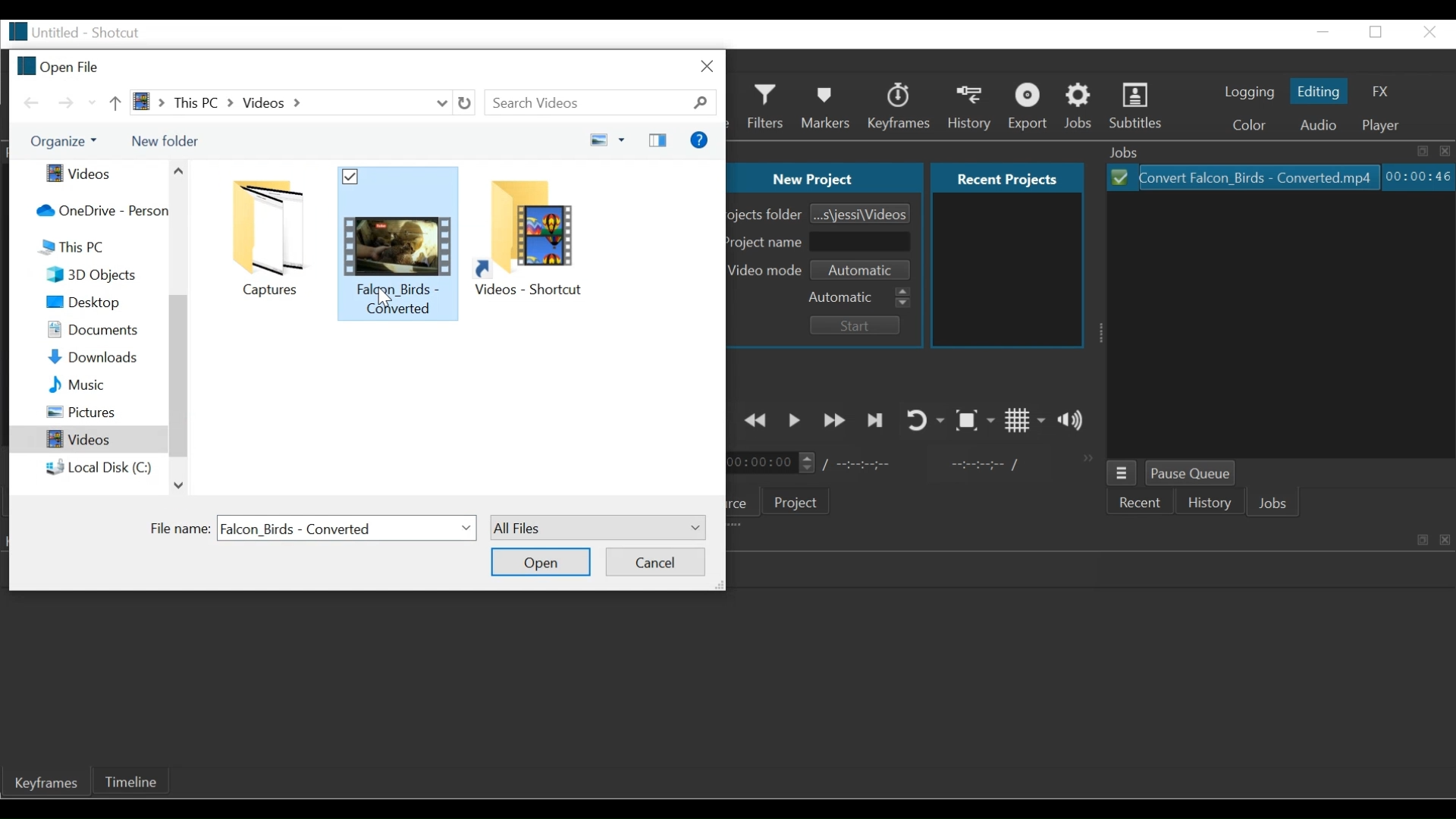 The width and height of the screenshot is (1456, 819). I want to click on Timeline, so click(131, 781).